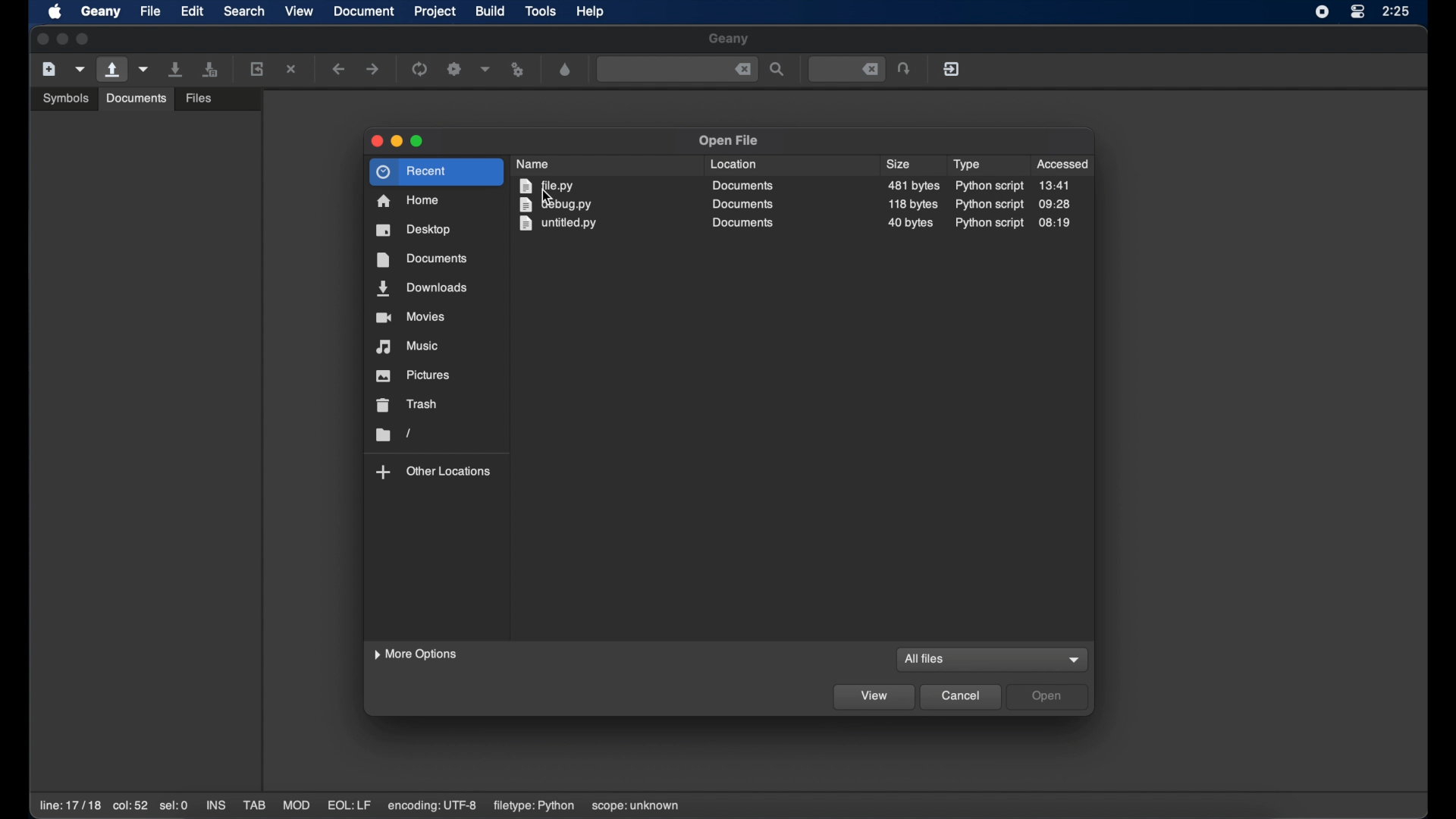 The height and width of the screenshot is (819, 1456). I want to click on cancel, so click(961, 697).